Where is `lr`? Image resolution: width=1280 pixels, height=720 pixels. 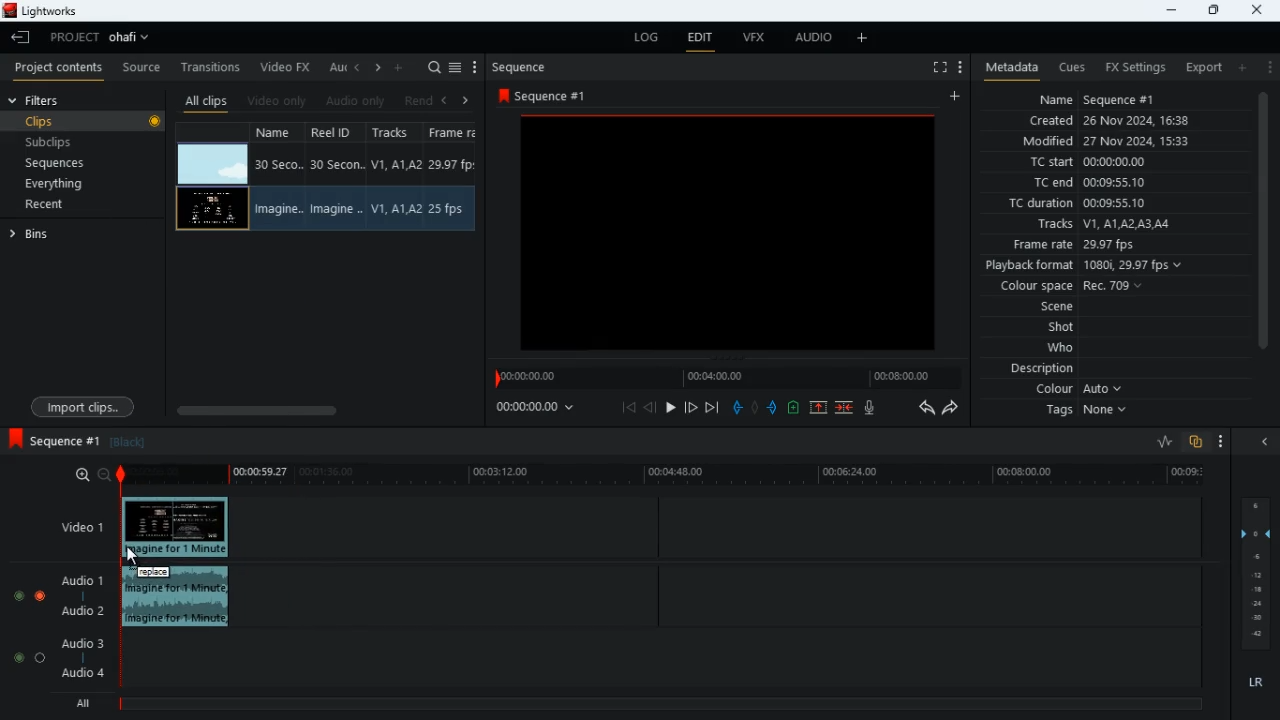 lr is located at coordinates (1250, 683).